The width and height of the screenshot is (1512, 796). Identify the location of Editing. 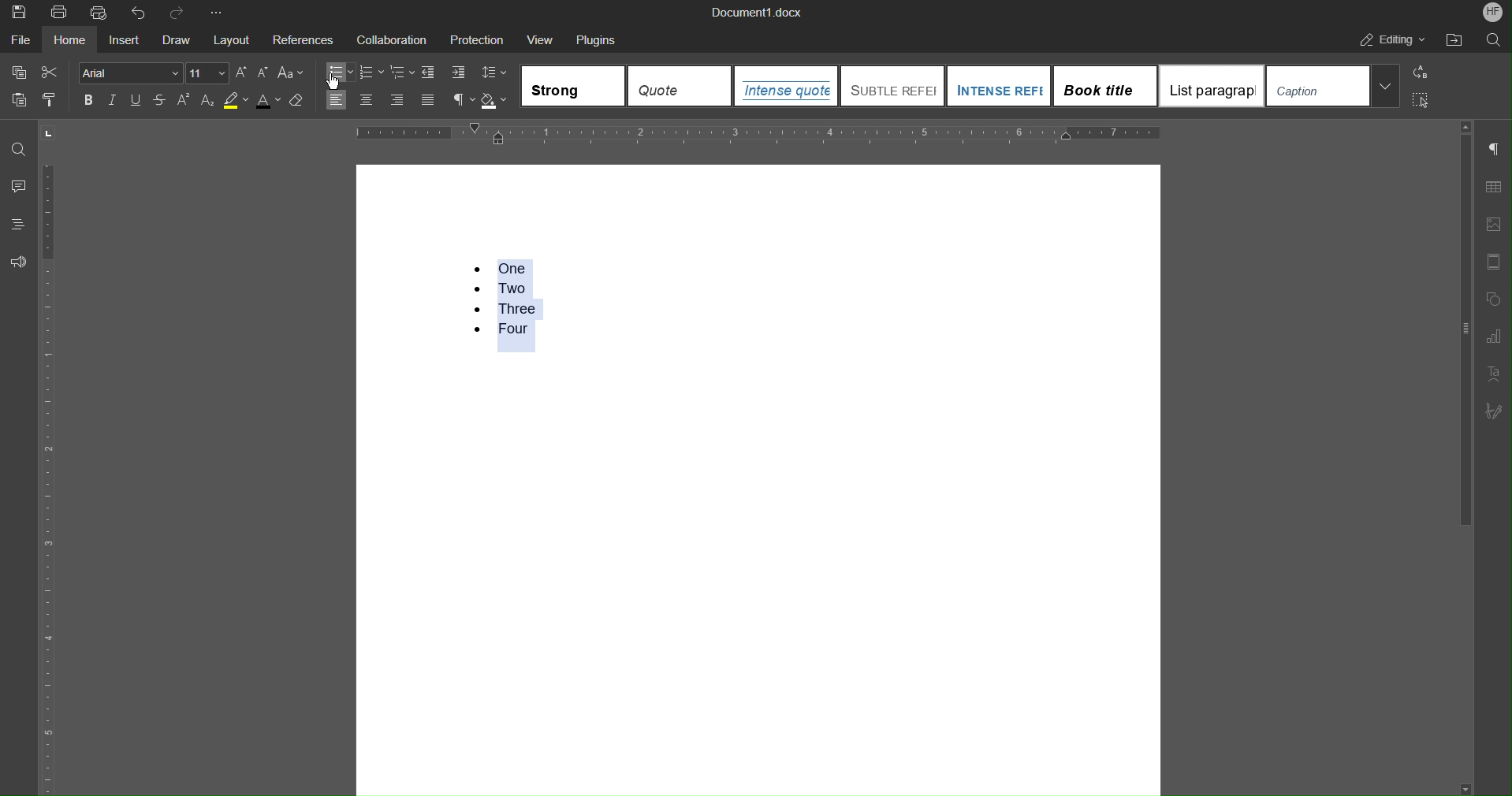
(1388, 39).